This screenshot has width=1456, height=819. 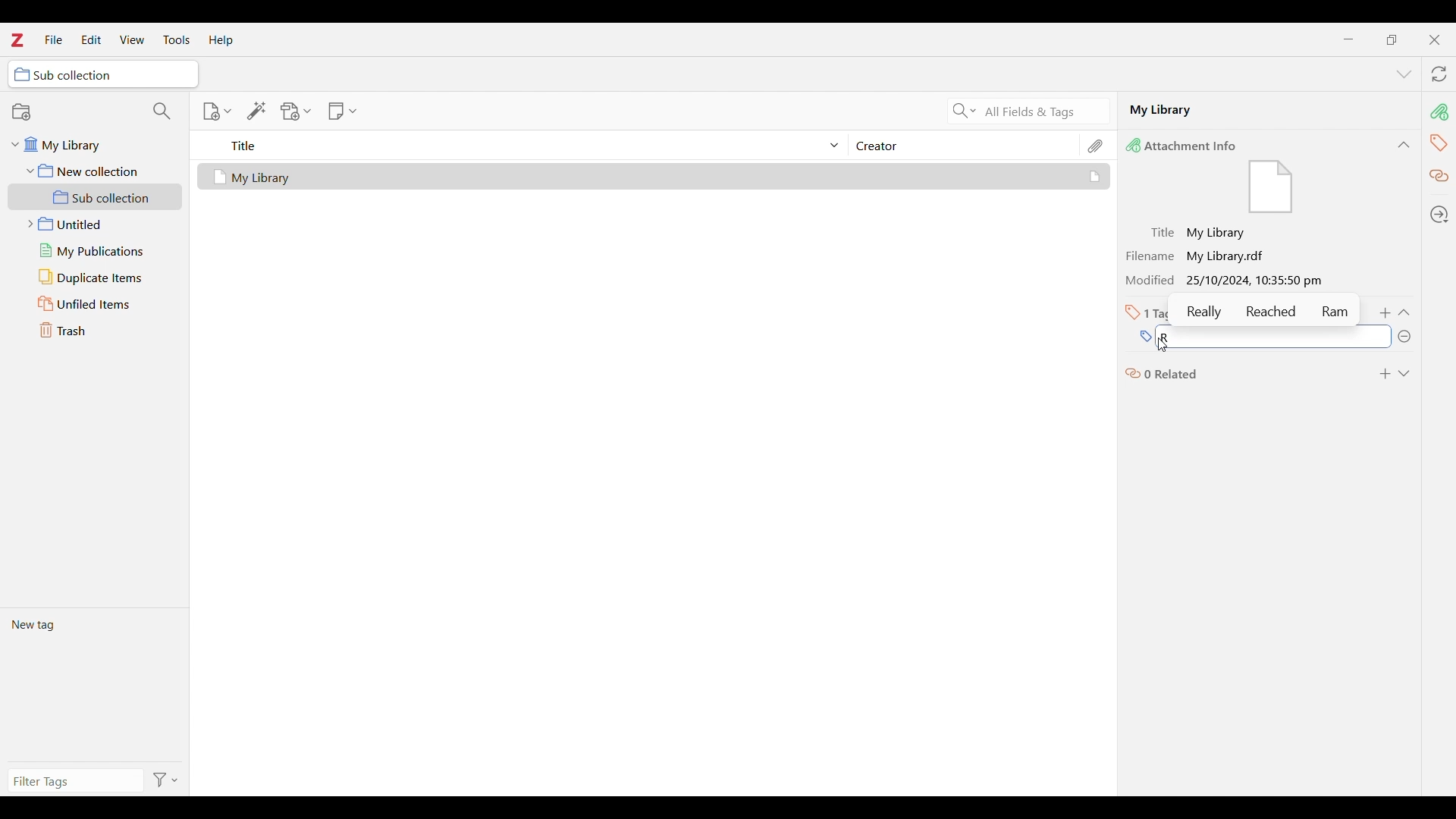 I want to click on File menu, so click(x=53, y=39).